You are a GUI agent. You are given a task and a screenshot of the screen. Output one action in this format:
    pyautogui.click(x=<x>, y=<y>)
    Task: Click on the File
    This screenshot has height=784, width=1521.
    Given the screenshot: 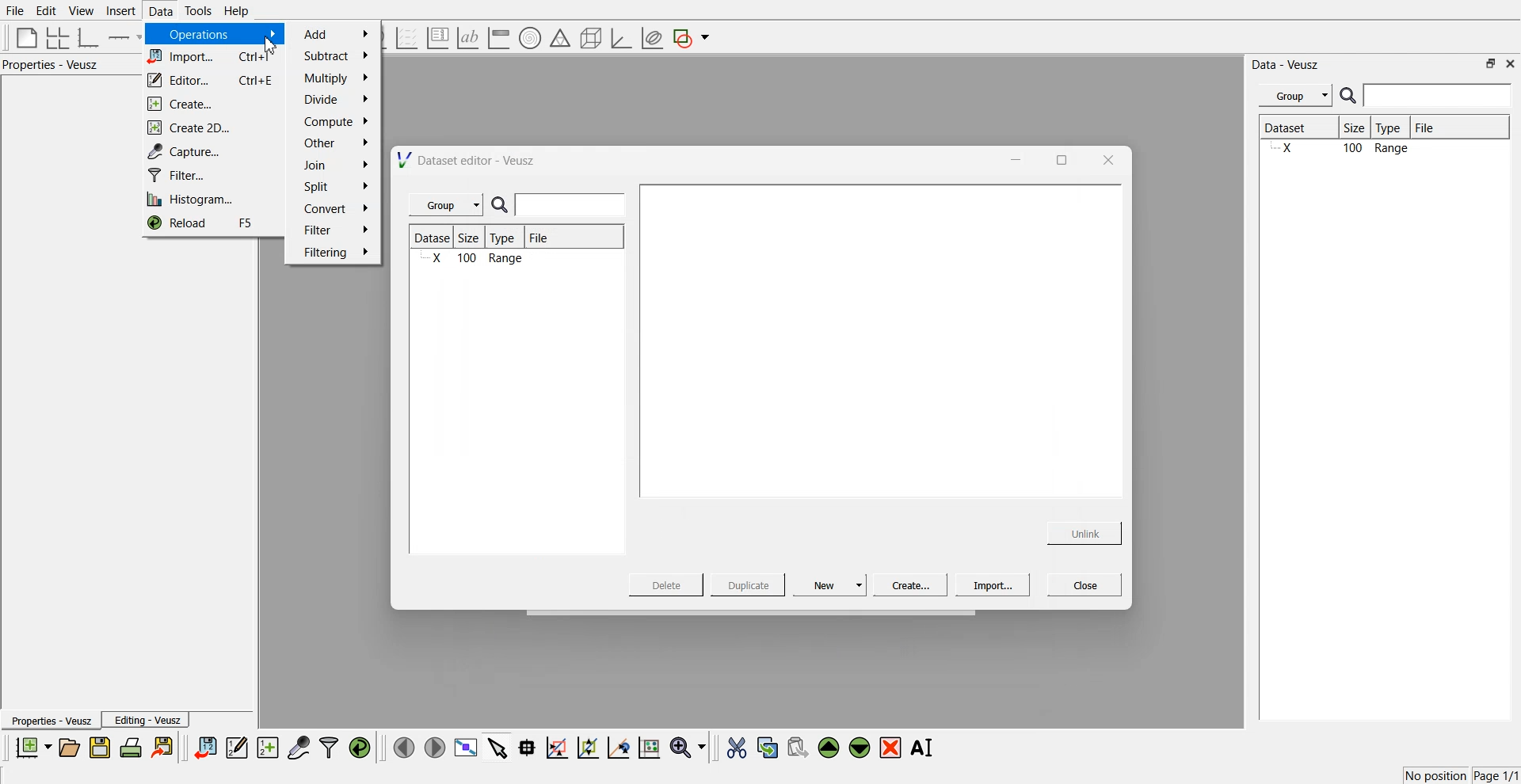 What is the action you would take?
    pyautogui.click(x=16, y=11)
    